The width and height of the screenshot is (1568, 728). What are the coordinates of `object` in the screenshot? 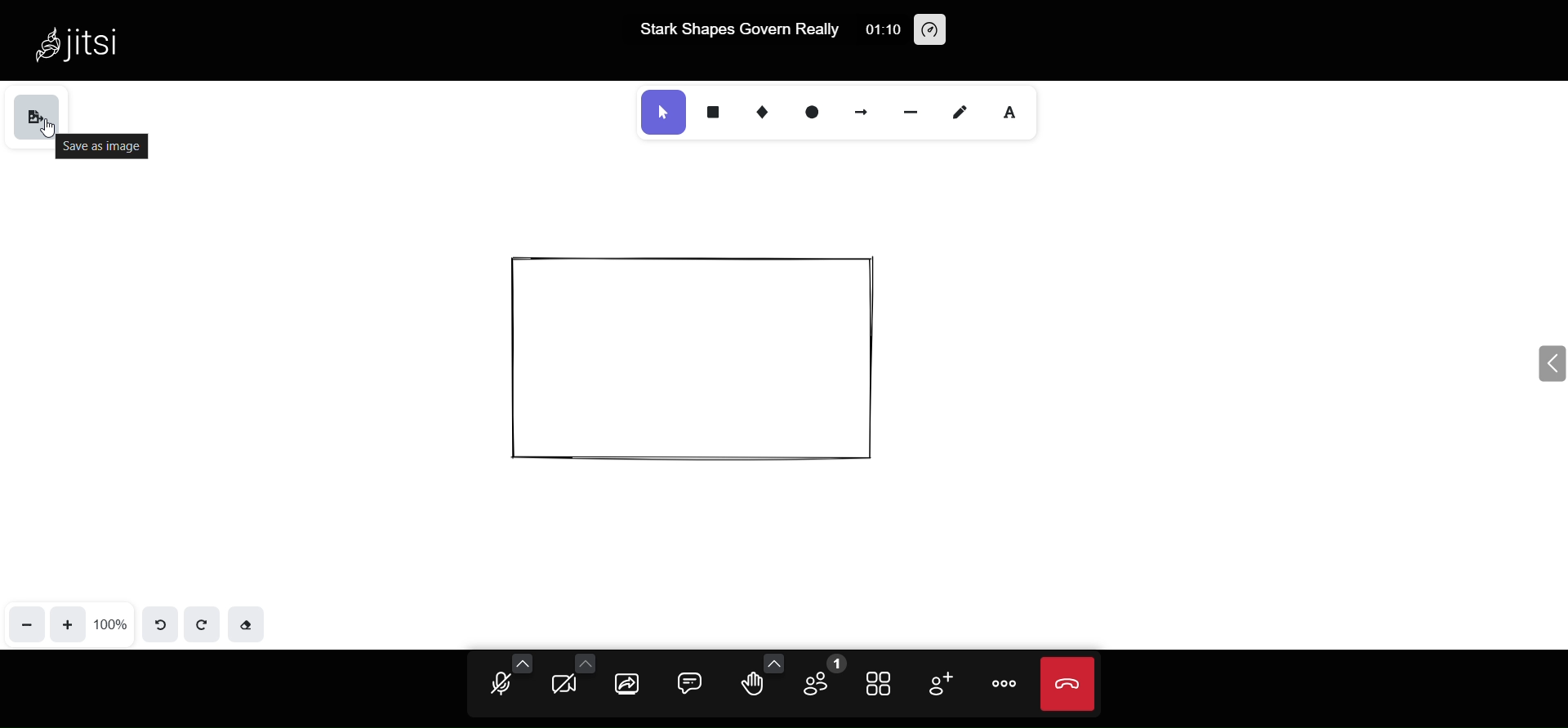 It's located at (691, 361).